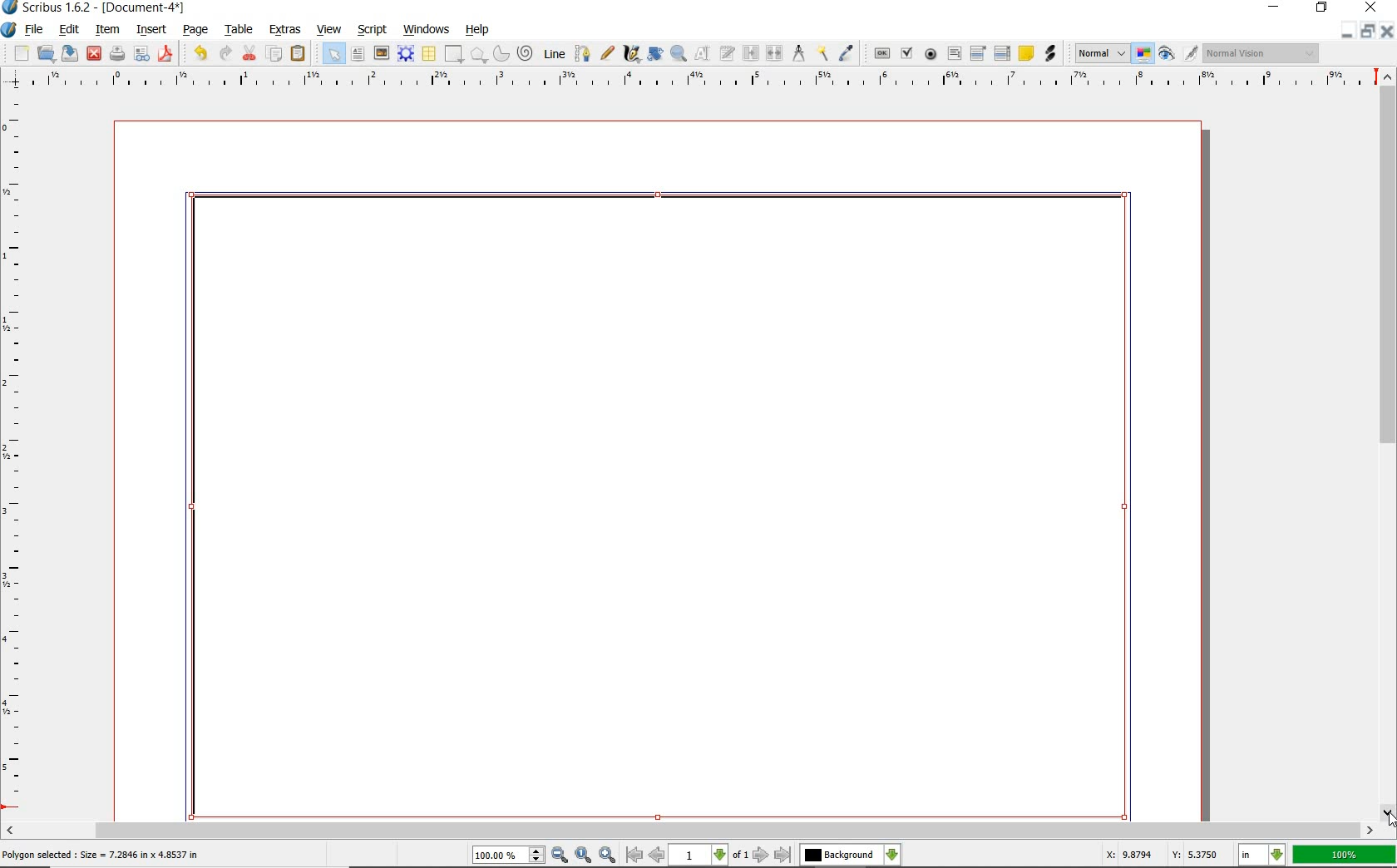  I want to click on pdf push button, so click(879, 52).